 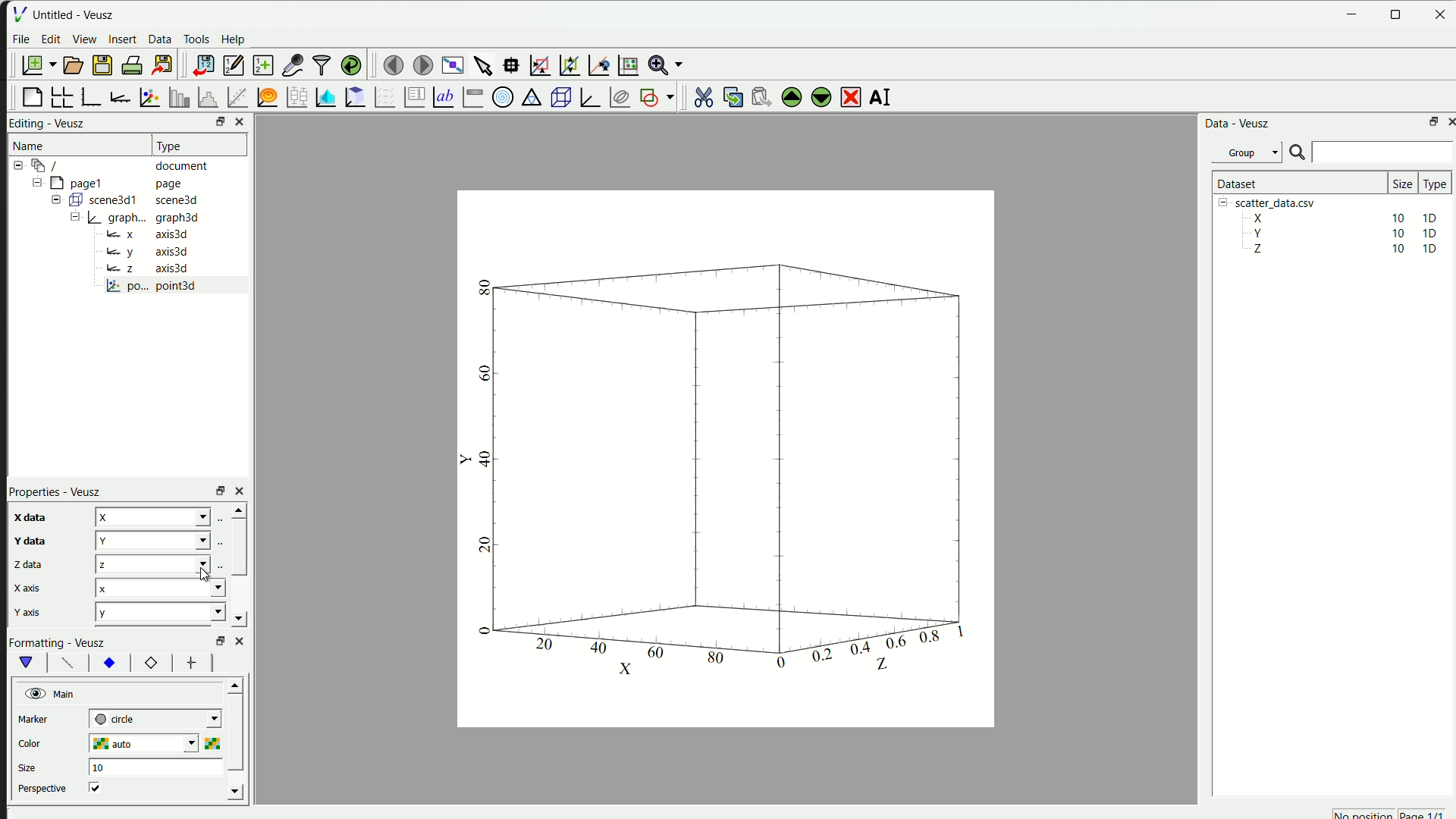 What do you see at coordinates (559, 96) in the screenshot?
I see `3D scene` at bounding box center [559, 96].